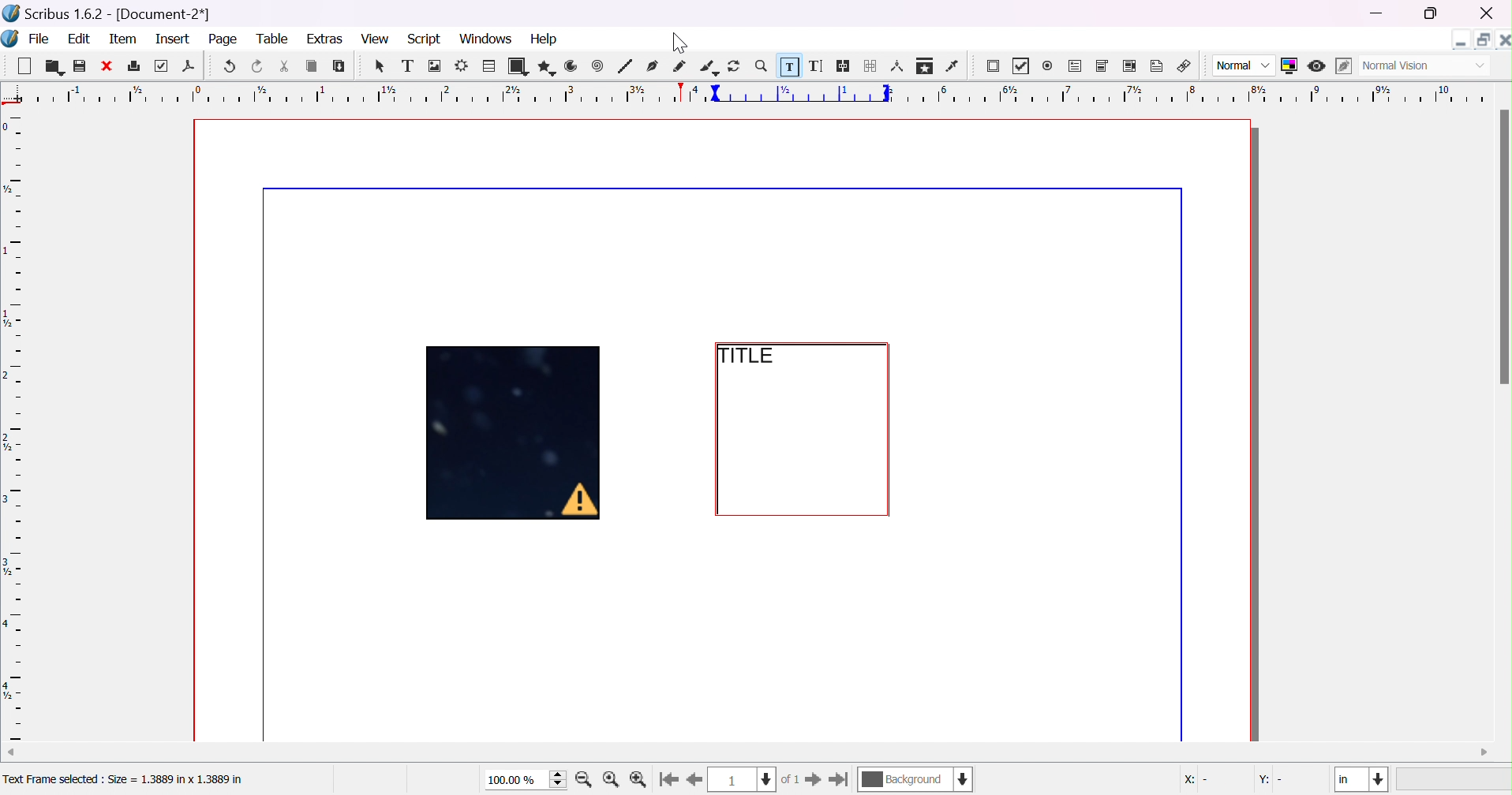  Describe the element at coordinates (79, 38) in the screenshot. I see `edit` at that location.